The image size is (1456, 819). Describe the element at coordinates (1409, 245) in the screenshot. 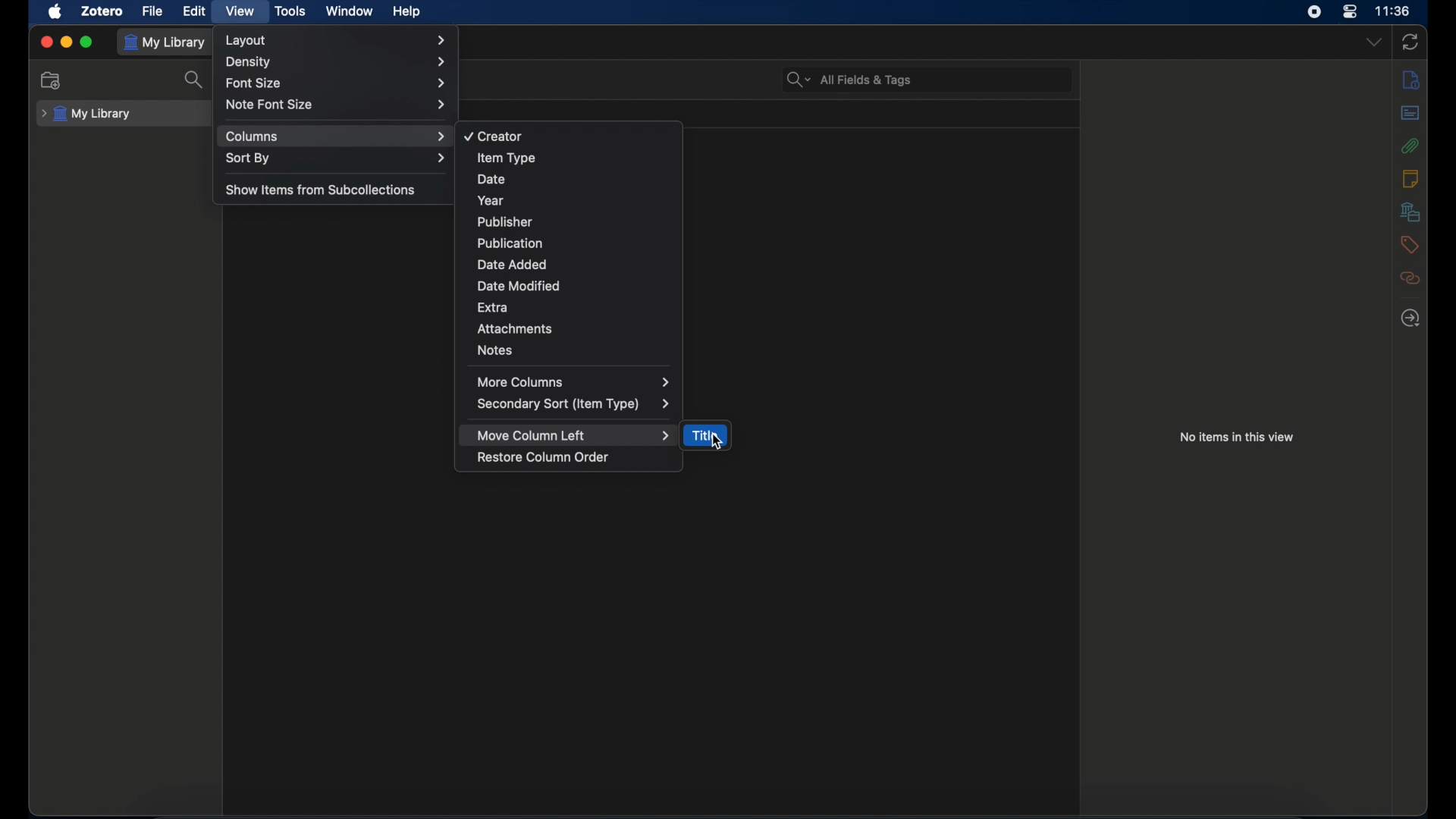

I see `tags` at that location.